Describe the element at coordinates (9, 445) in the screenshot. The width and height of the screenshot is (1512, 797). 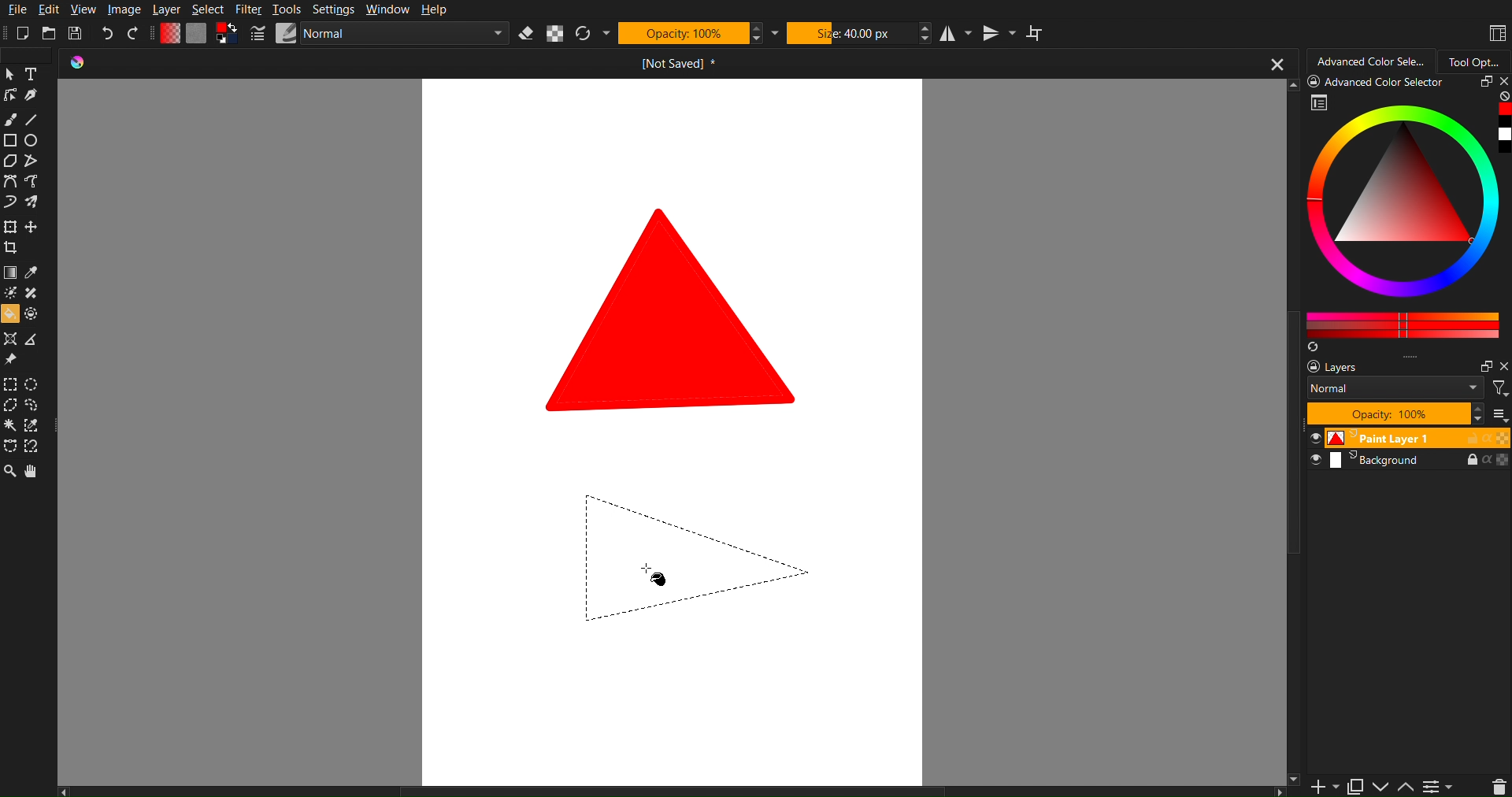
I see `selection free shape` at that location.